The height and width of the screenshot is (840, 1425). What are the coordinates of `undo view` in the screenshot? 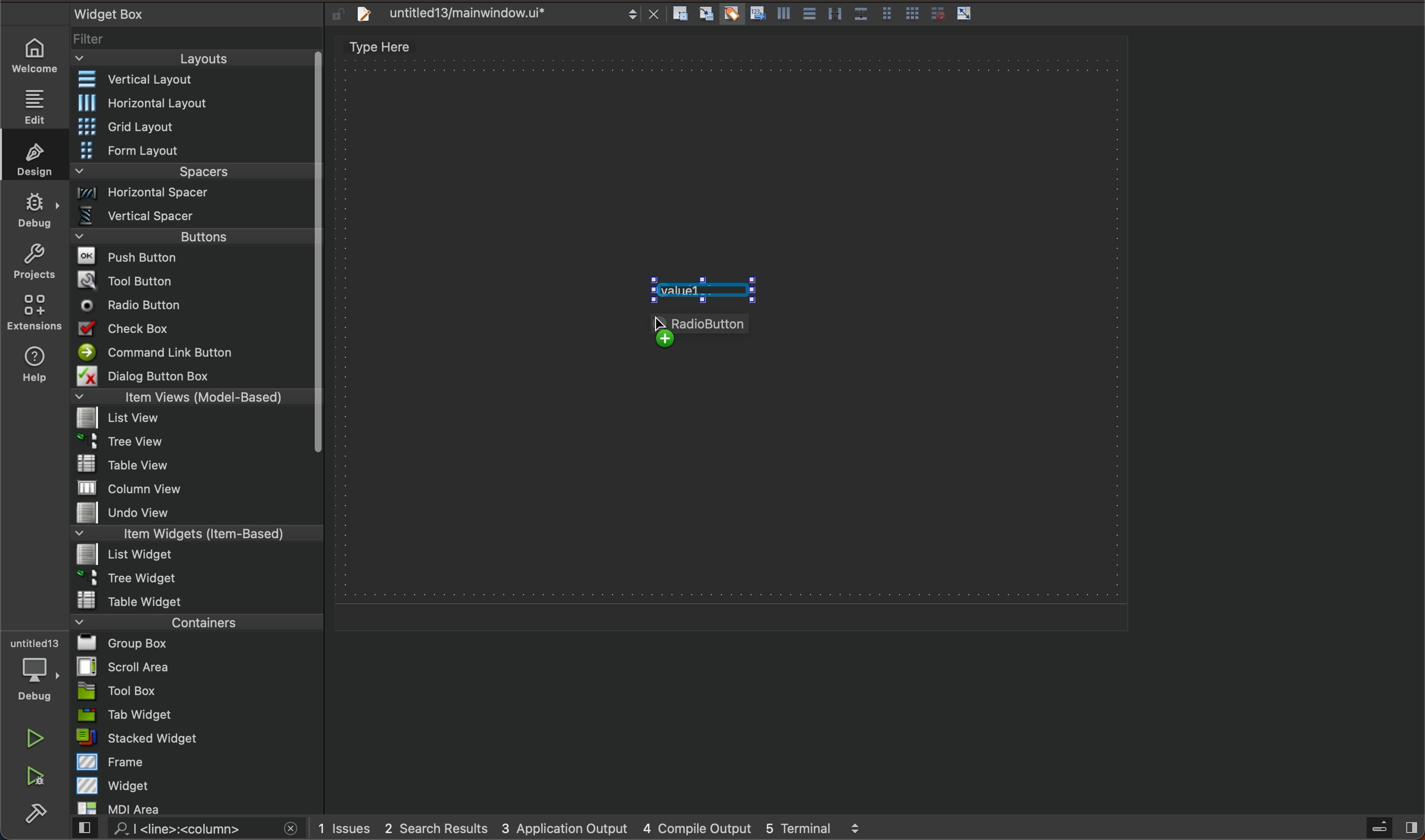 It's located at (197, 512).